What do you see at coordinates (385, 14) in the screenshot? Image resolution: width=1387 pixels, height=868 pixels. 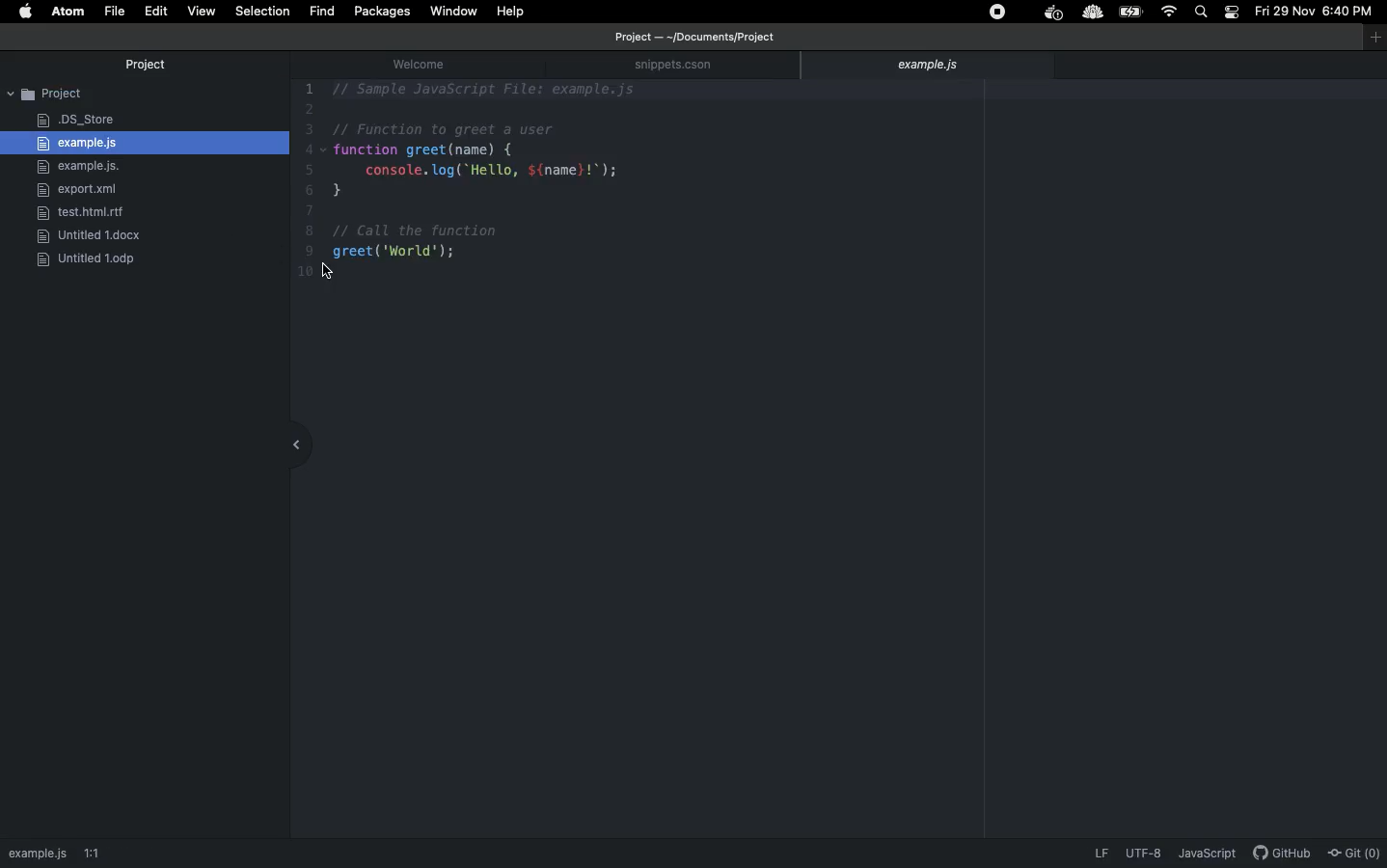 I see `Packages` at bounding box center [385, 14].